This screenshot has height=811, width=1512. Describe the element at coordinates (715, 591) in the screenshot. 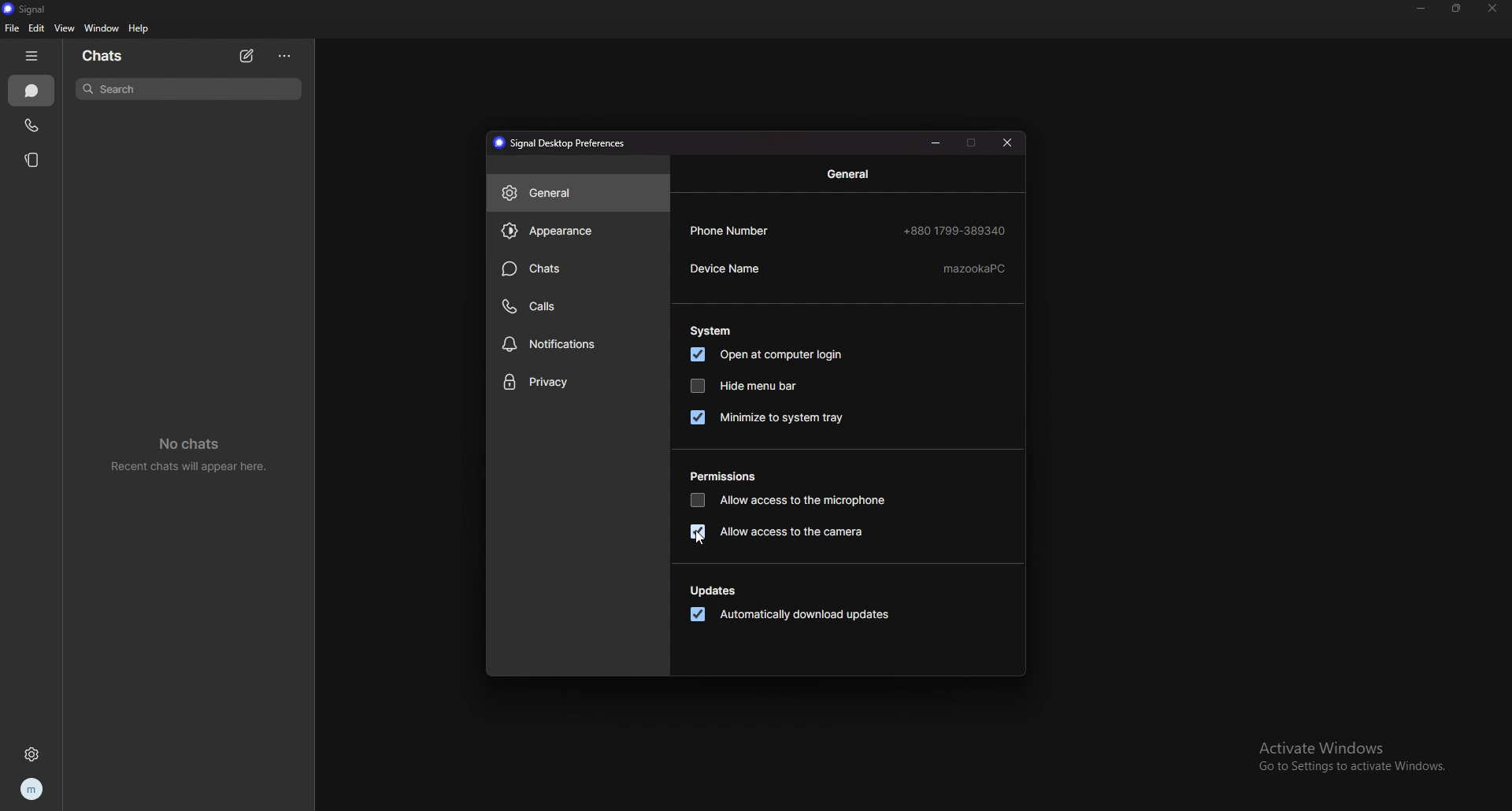

I see `updates` at that location.